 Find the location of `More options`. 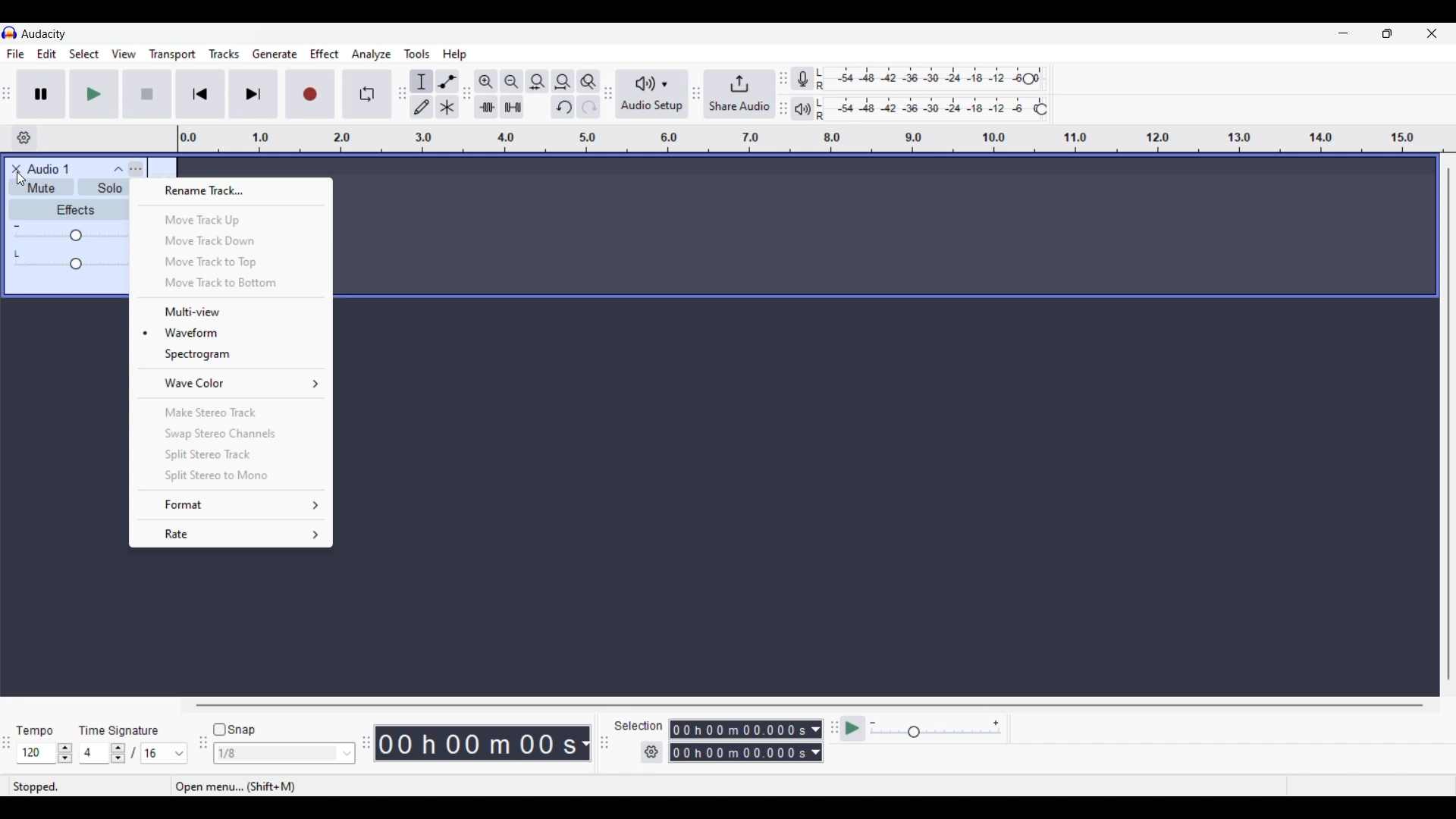

More options is located at coordinates (137, 168).